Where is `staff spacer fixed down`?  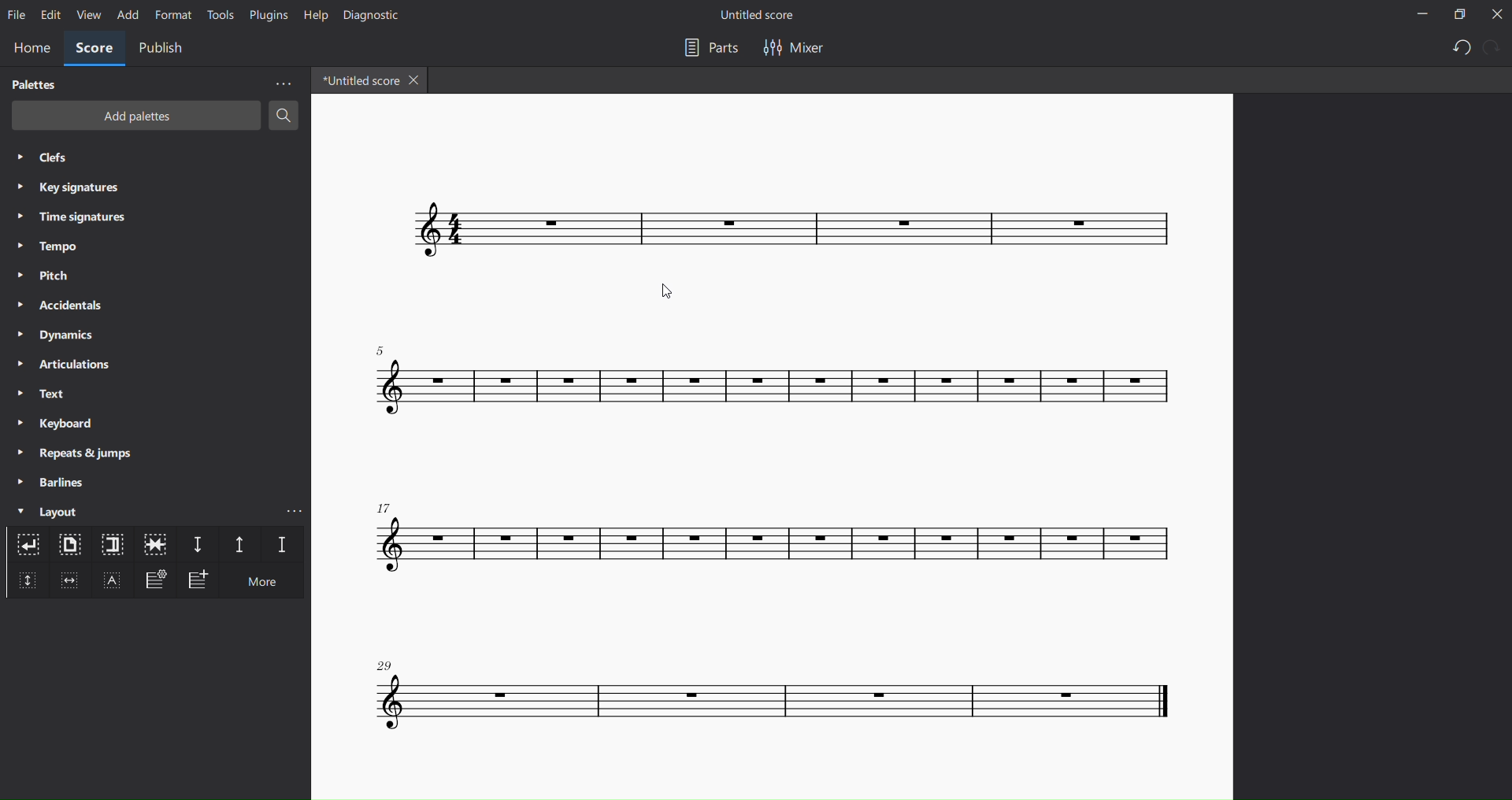
staff spacer fixed down is located at coordinates (278, 546).